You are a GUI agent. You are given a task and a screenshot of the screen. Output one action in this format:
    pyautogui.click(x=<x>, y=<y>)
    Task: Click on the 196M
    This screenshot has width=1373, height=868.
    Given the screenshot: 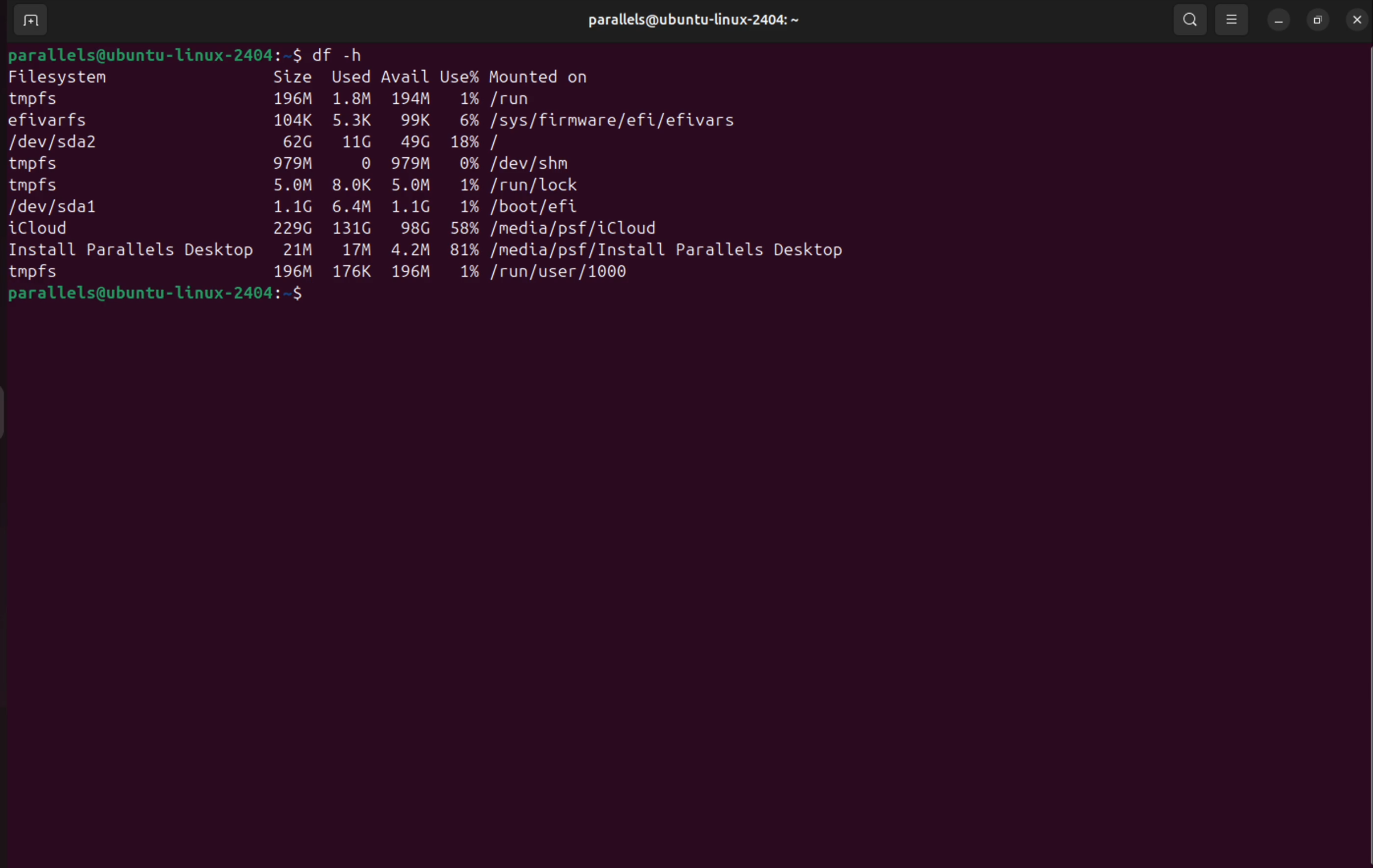 What is the action you would take?
    pyautogui.click(x=298, y=271)
    